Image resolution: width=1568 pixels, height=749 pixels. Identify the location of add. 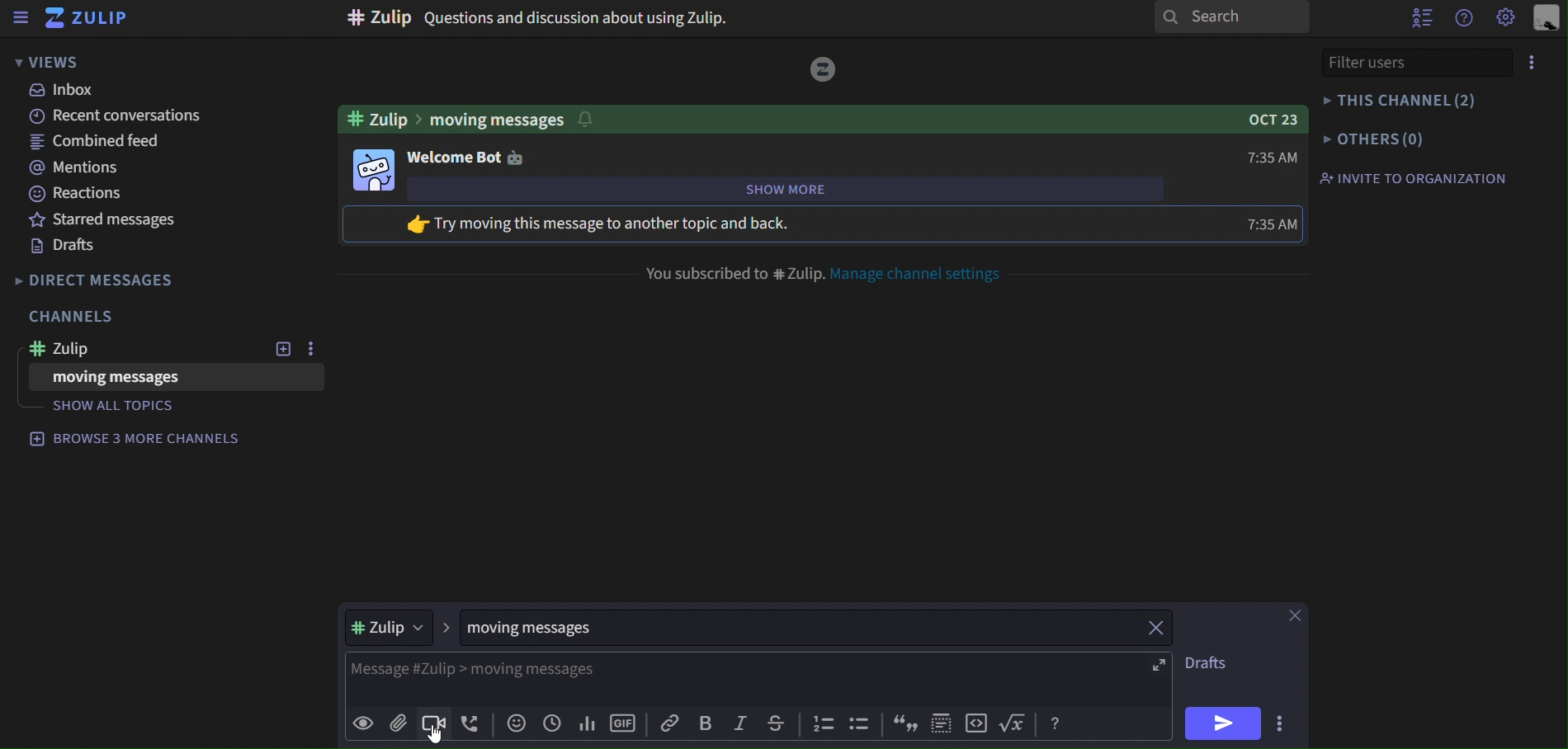
(278, 349).